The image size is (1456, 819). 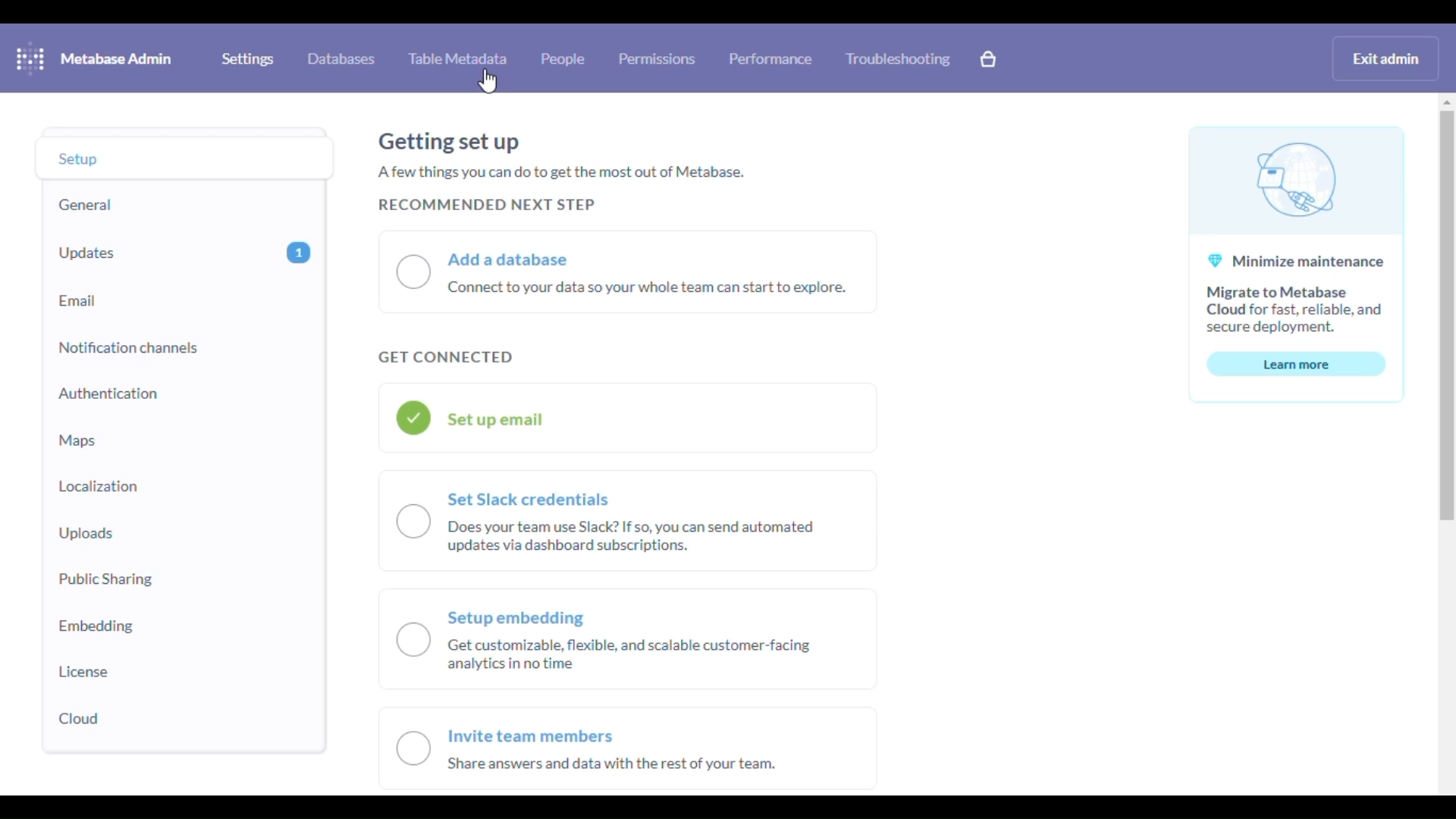 I want to click on email, so click(x=78, y=303).